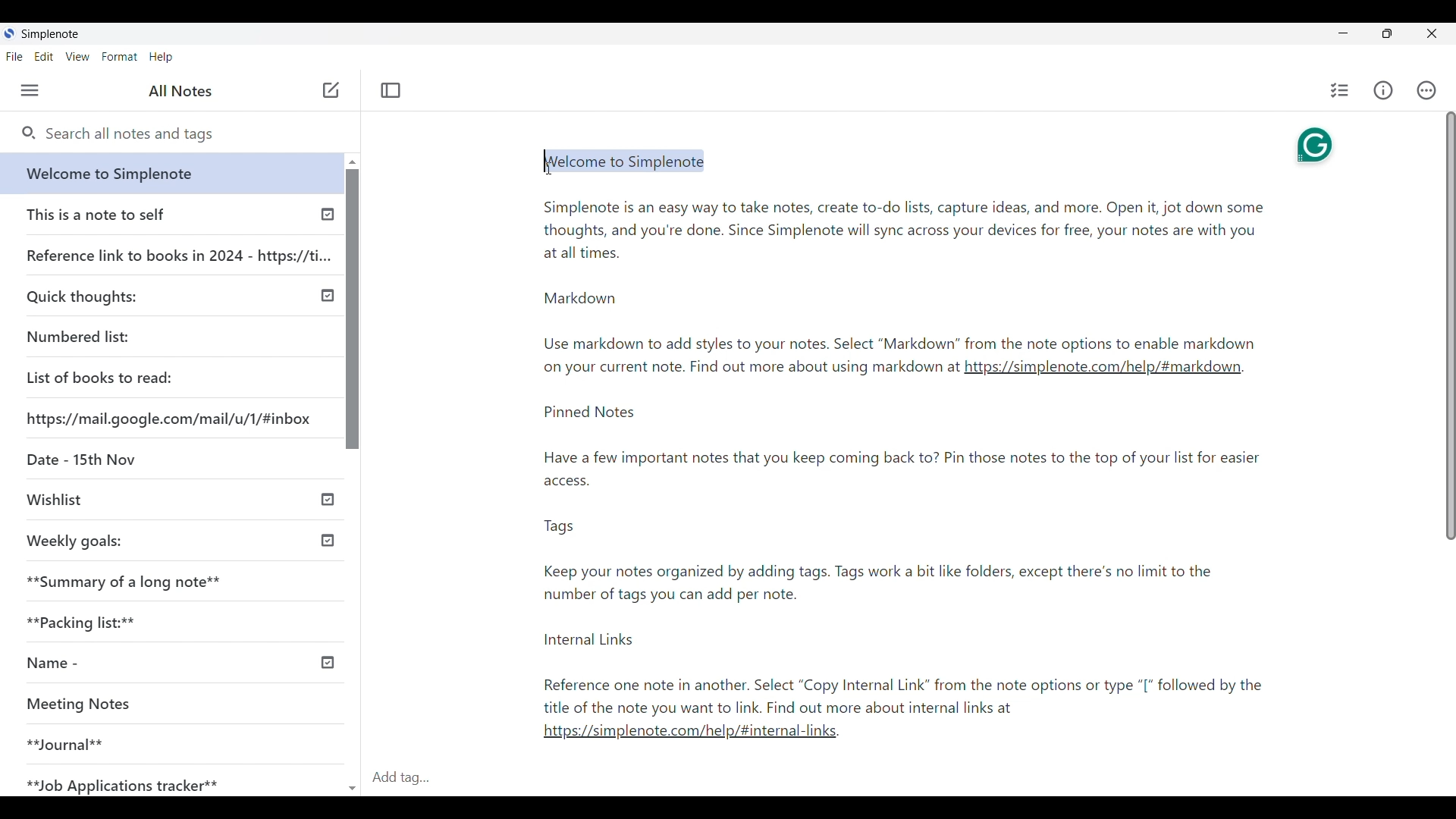 Image resolution: width=1456 pixels, height=819 pixels. Describe the element at coordinates (96, 214) in the screenshot. I see `This is a note to self` at that location.